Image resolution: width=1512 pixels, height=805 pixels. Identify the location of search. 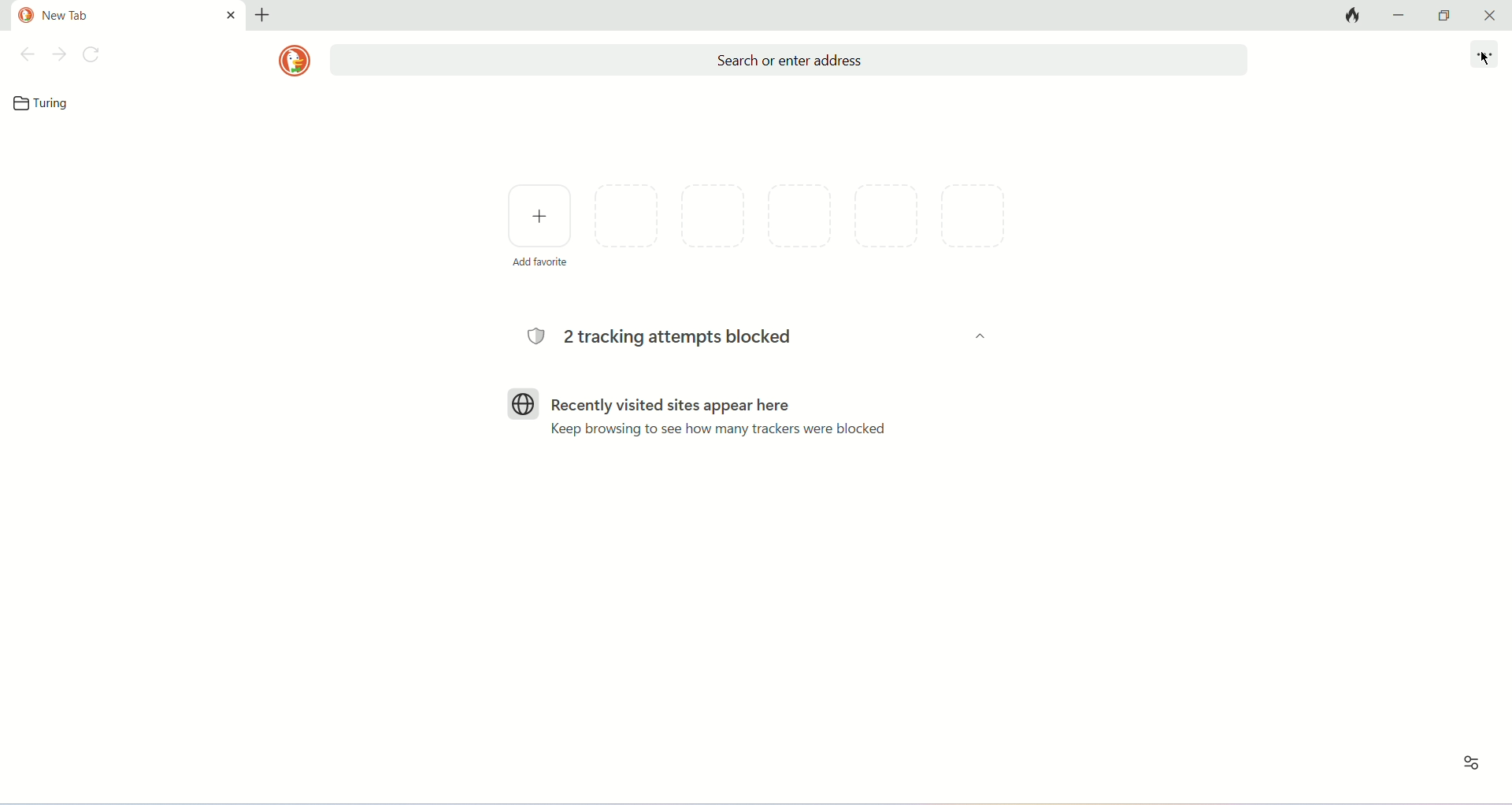
(791, 60).